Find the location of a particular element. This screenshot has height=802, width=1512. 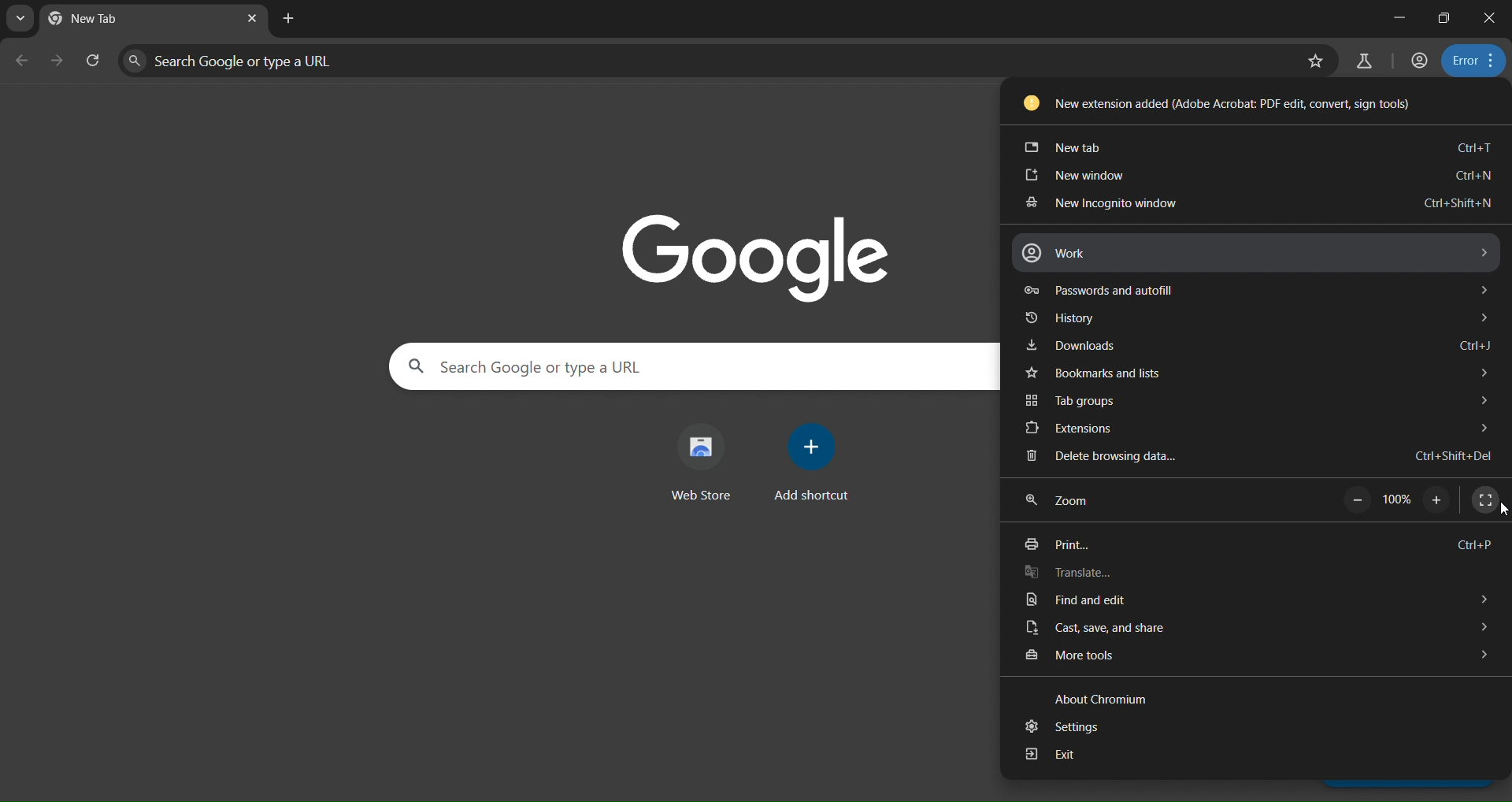

reload page is located at coordinates (89, 59).